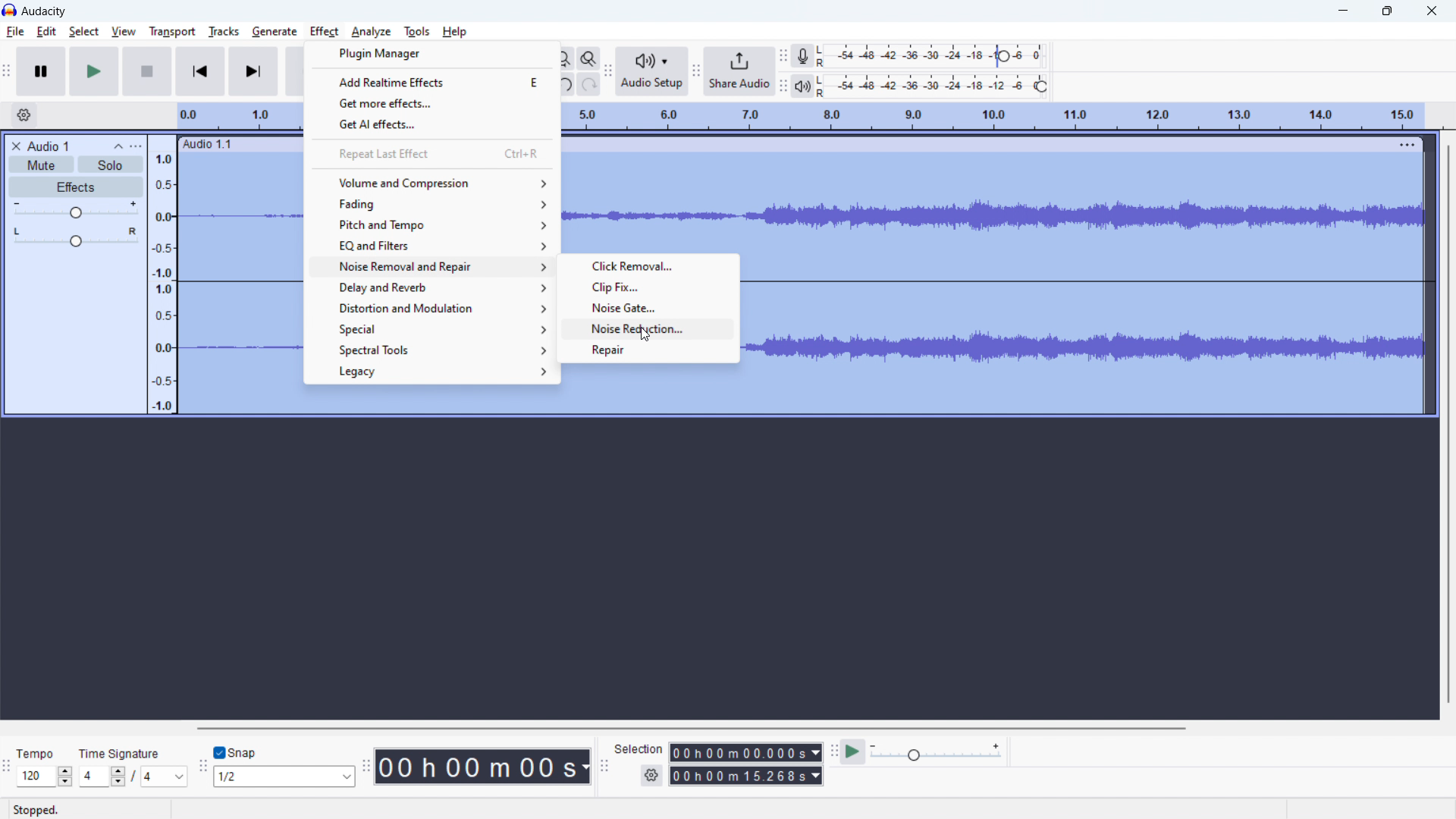 Image resolution: width=1456 pixels, height=819 pixels. What do you see at coordinates (695, 70) in the screenshot?
I see `share audio toolbar` at bounding box center [695, 70].